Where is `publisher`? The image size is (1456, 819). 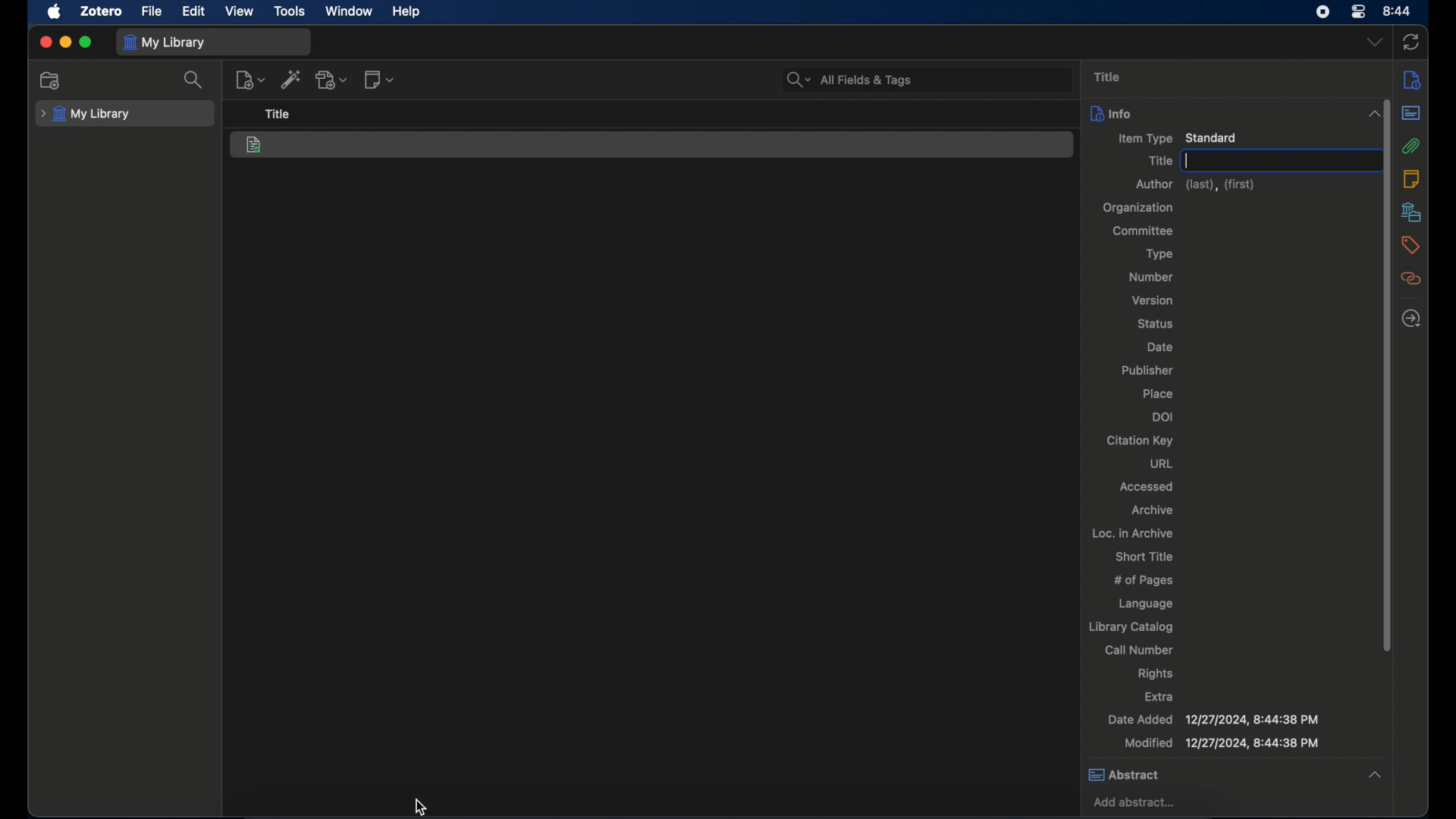 publisher is located at coordinates (1146, 371).